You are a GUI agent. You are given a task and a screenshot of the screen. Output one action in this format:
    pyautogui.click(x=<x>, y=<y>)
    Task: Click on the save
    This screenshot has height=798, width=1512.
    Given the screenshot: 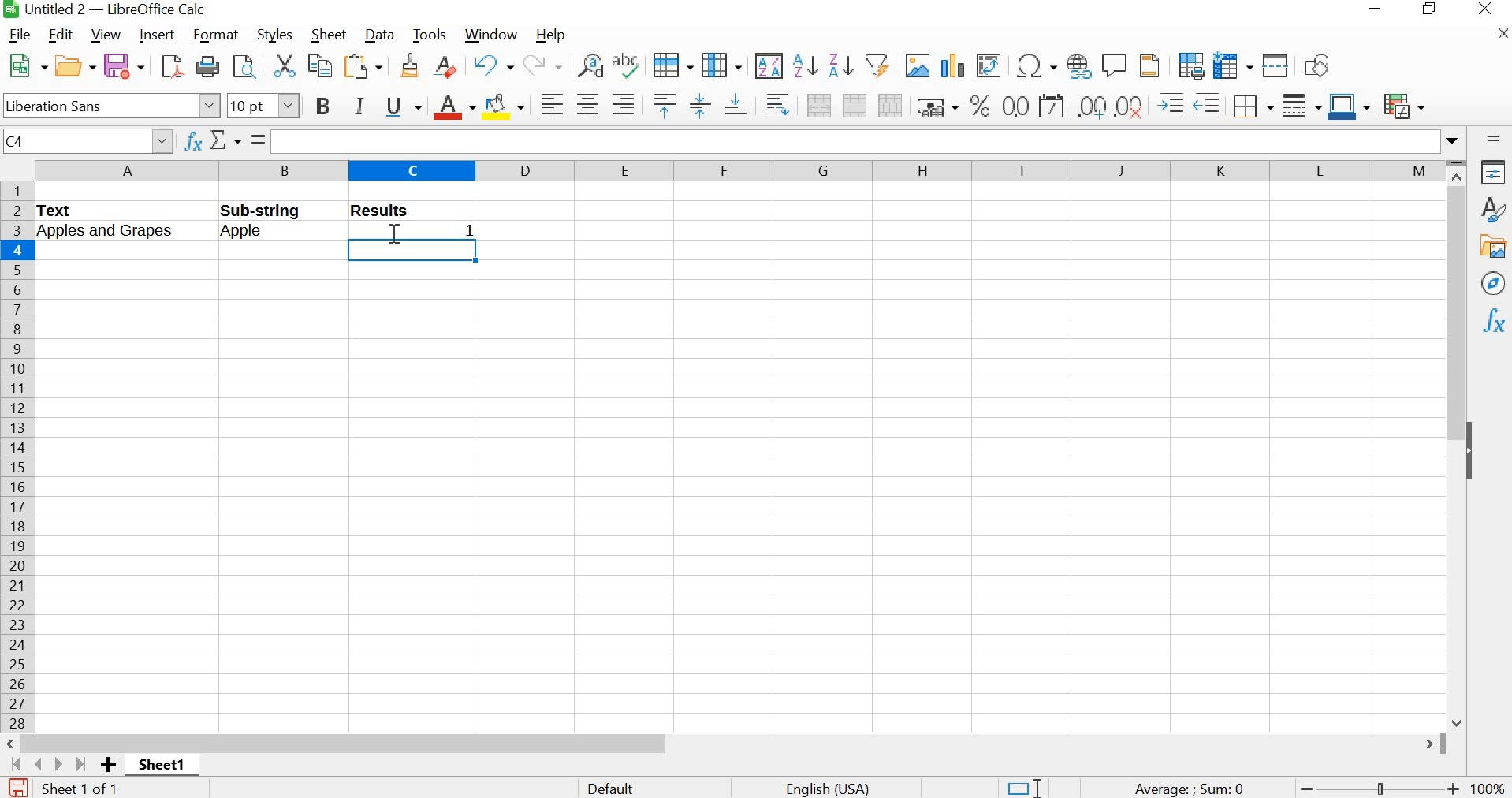 What is the action you would take?
    pyautogui.click(x=16, y=787)
    